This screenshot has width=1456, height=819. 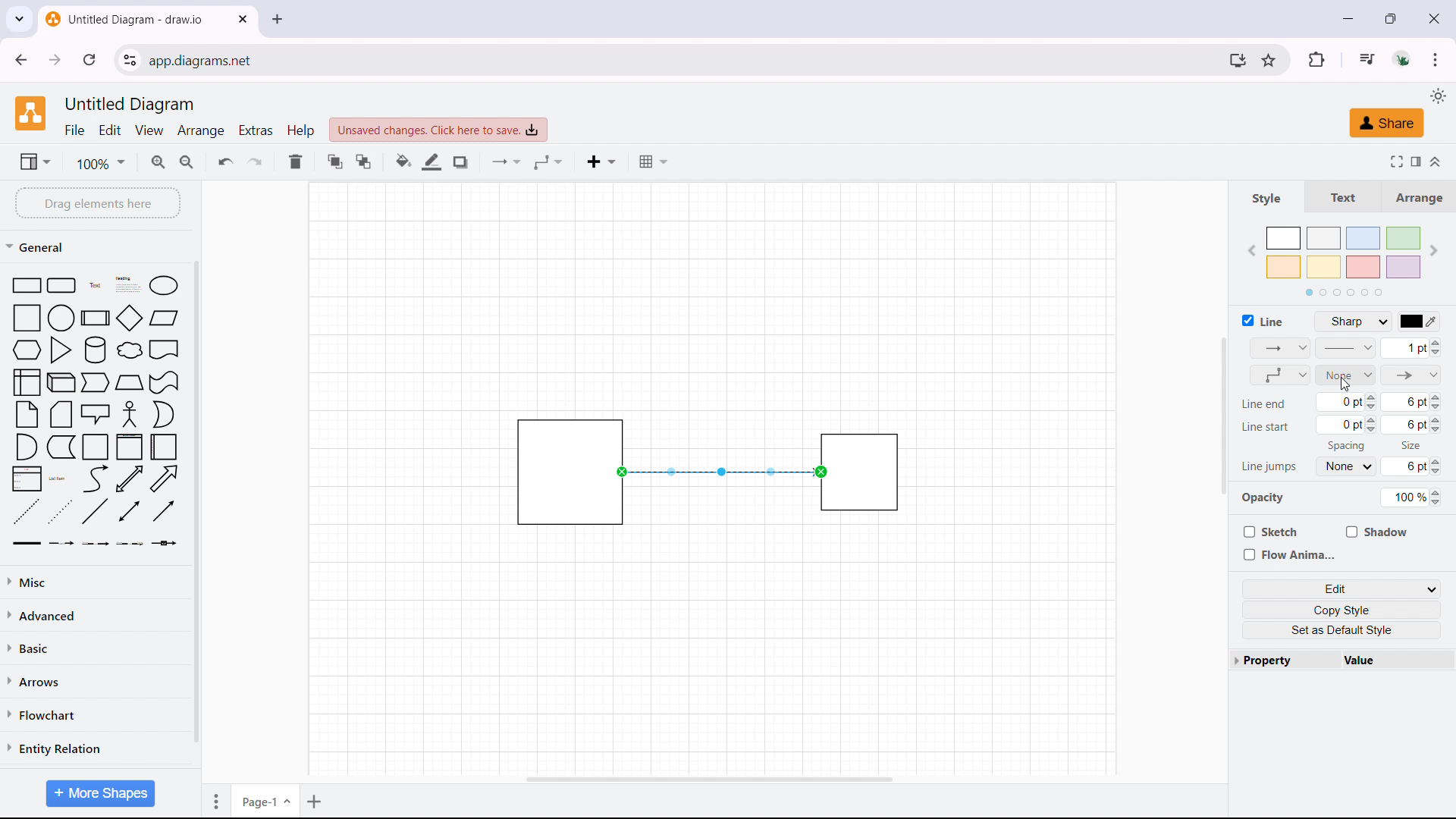 I want to click on search tabs, so click(x=19, y=20).